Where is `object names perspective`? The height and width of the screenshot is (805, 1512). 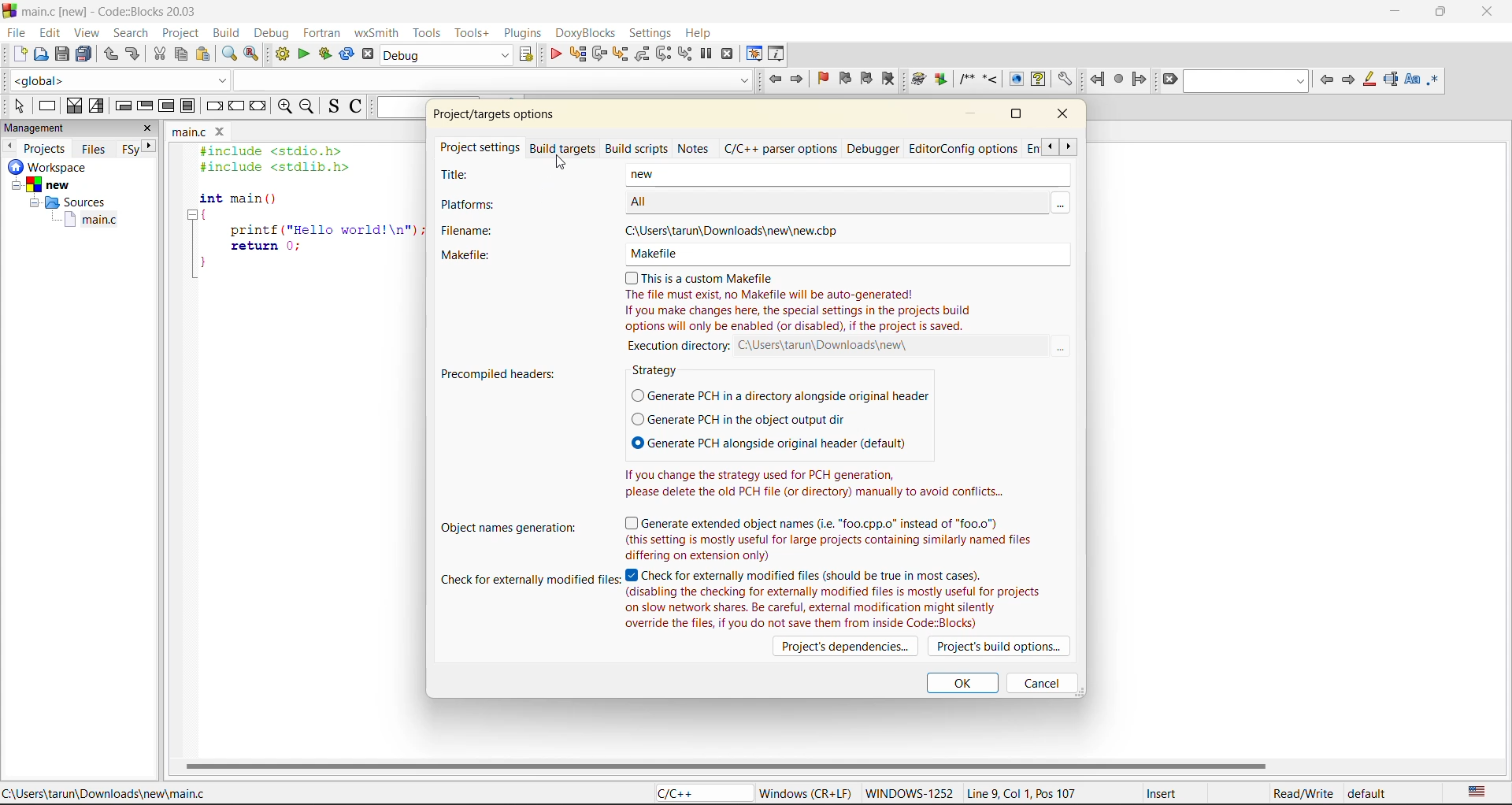
object names perspective is located at coordinates (506, 527).